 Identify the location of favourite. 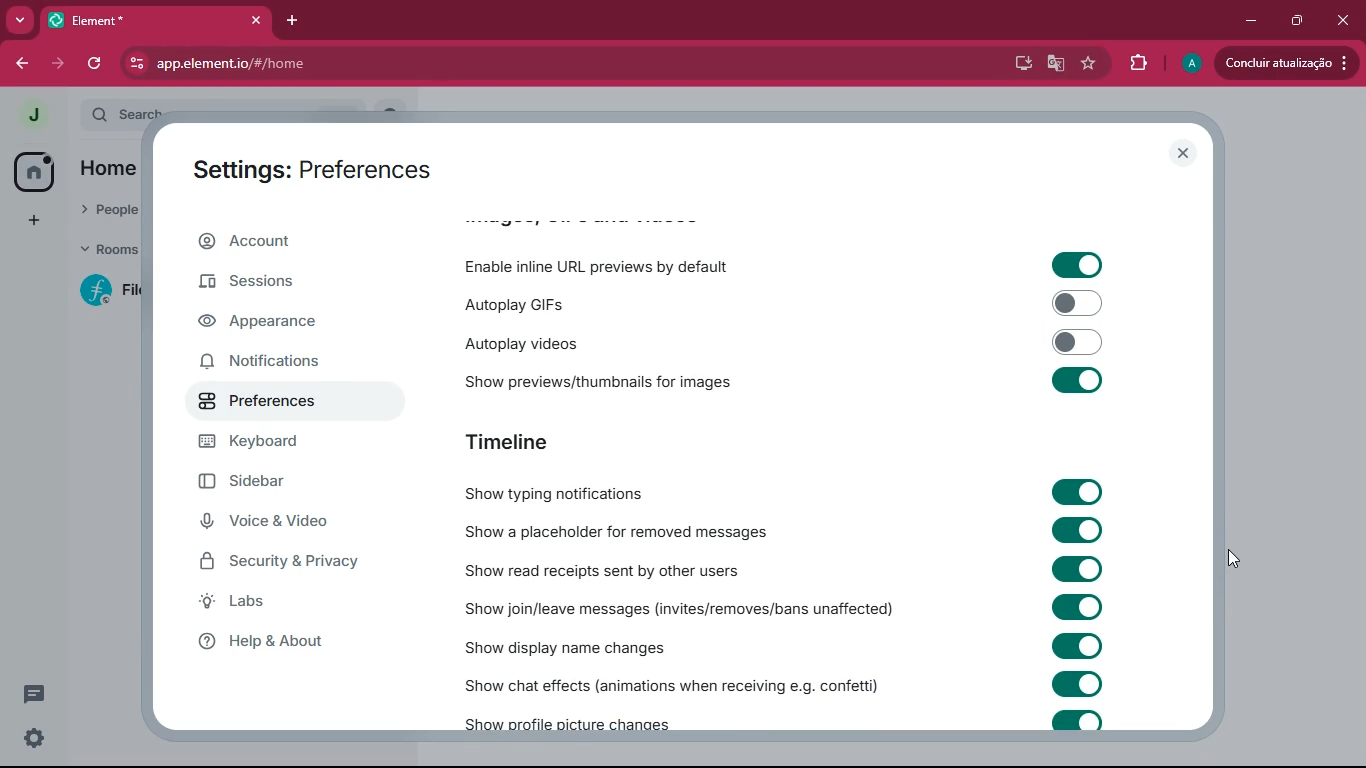
(1091, 67).